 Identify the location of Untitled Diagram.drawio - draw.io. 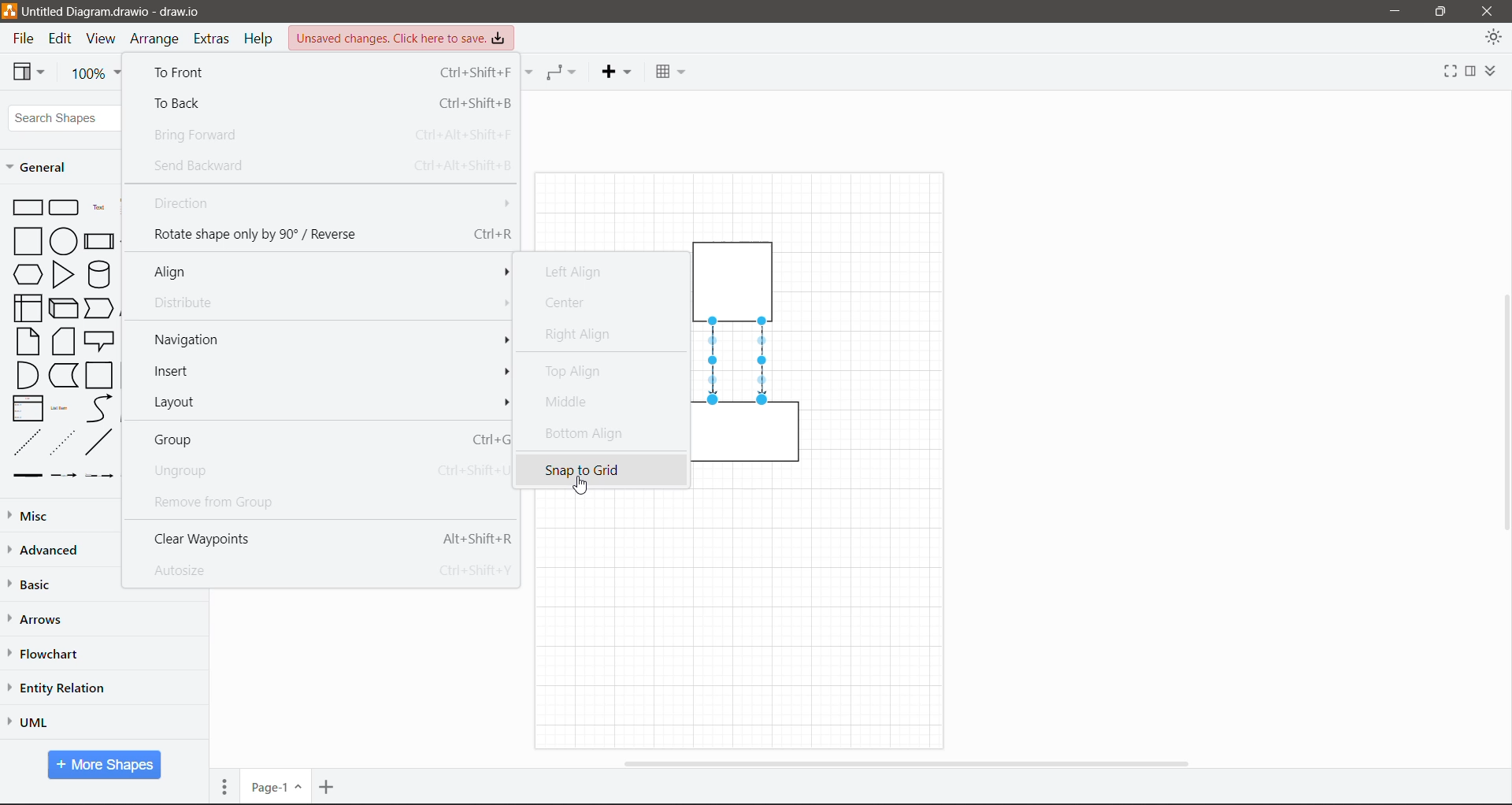
(120, 12).